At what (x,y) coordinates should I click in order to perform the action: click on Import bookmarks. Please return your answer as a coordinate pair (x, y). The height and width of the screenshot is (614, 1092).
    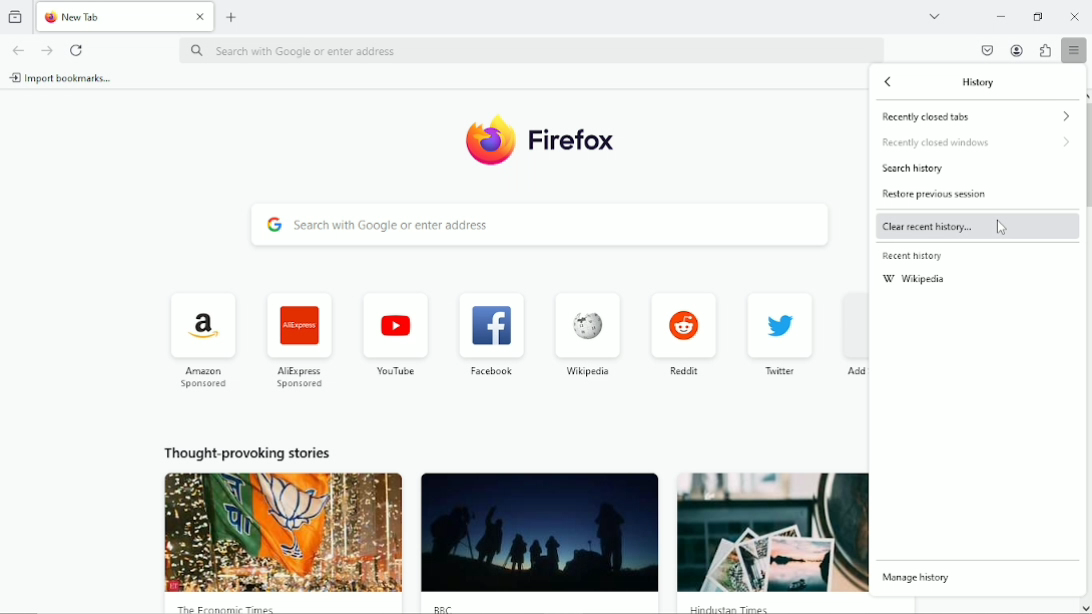
    Looking at the image, I should click on (63, 78).